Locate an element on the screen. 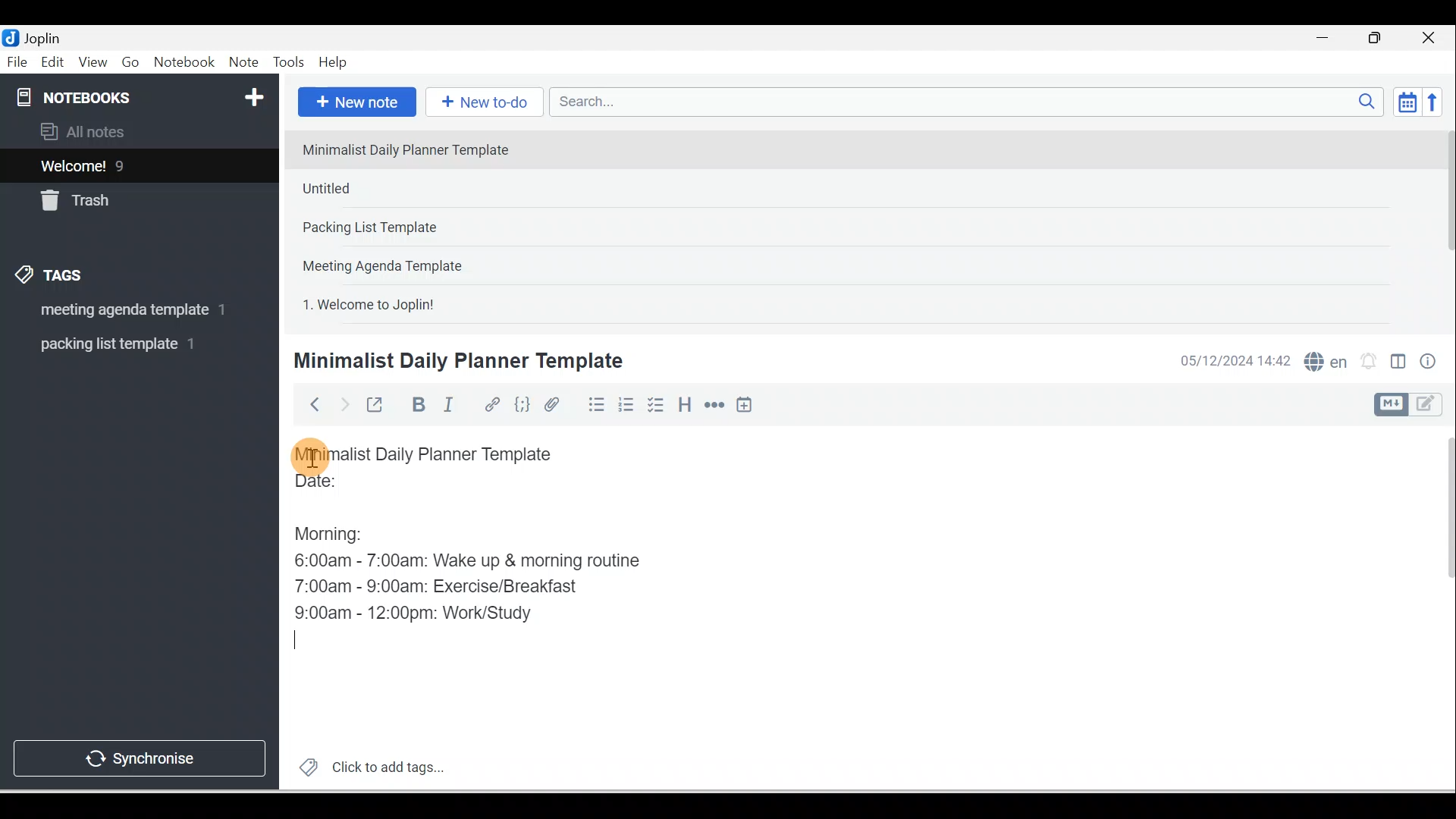  New to-do is located at coordinates (481, 103).